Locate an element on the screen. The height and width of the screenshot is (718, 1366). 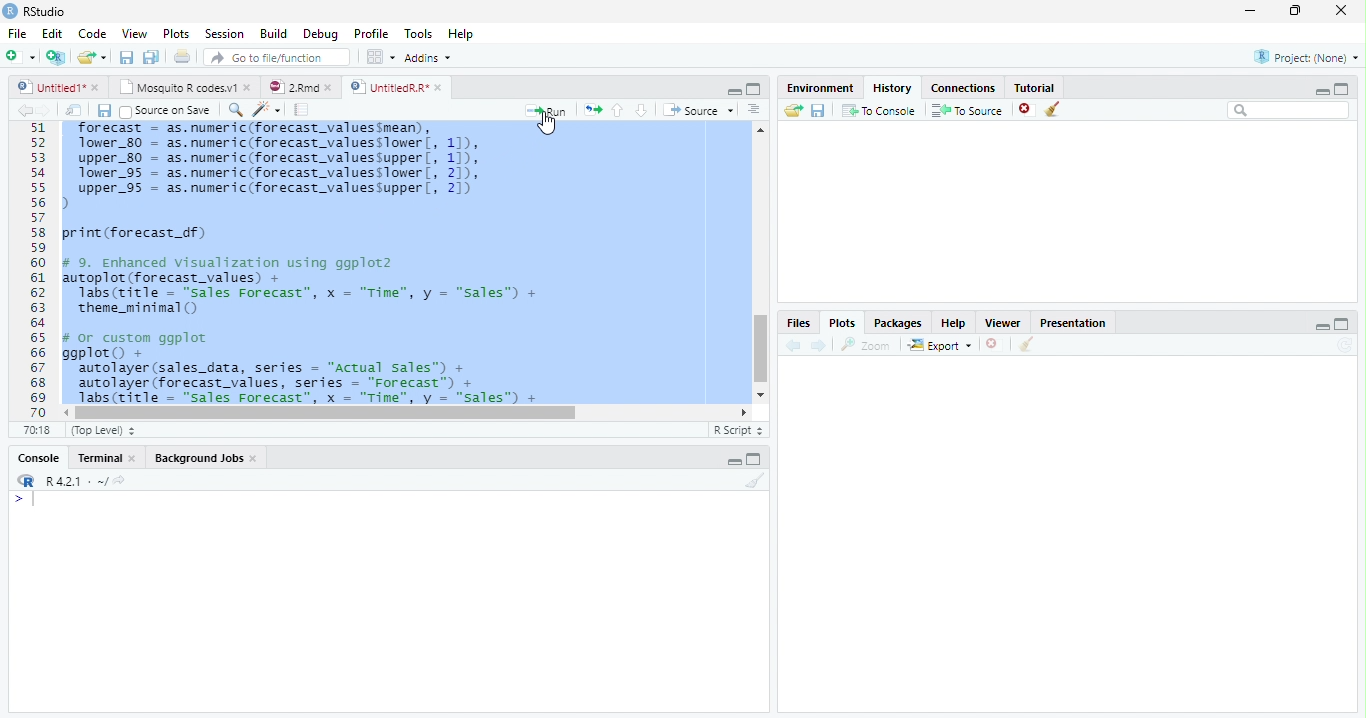
Code is located at coordinates (94, 33).